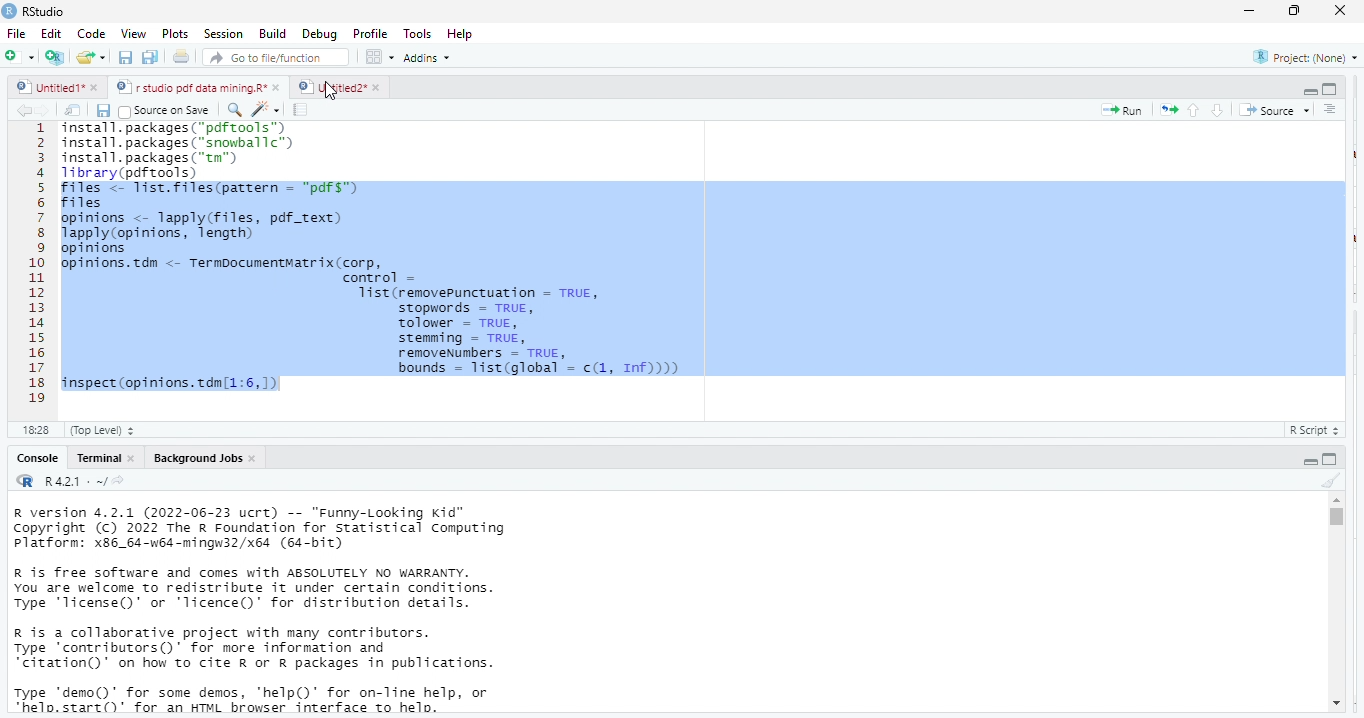 The image size is (1364, 718). What do you see at coordinates (303, 110) in the screenshot?
I see `compile report` at bounding box center [303, 110].